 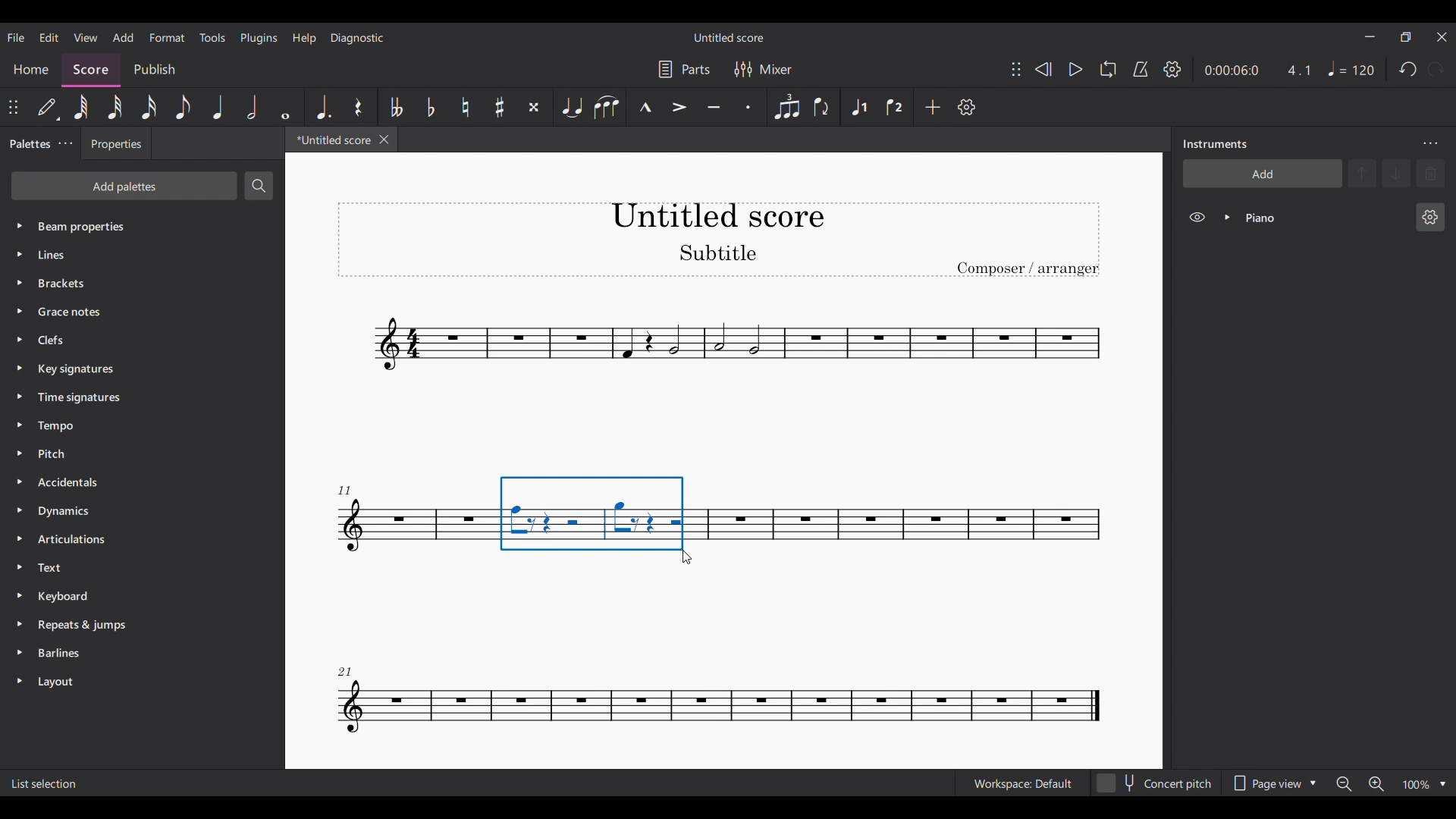 I want to click on Augmentation dot, so click(x=322, y=107).